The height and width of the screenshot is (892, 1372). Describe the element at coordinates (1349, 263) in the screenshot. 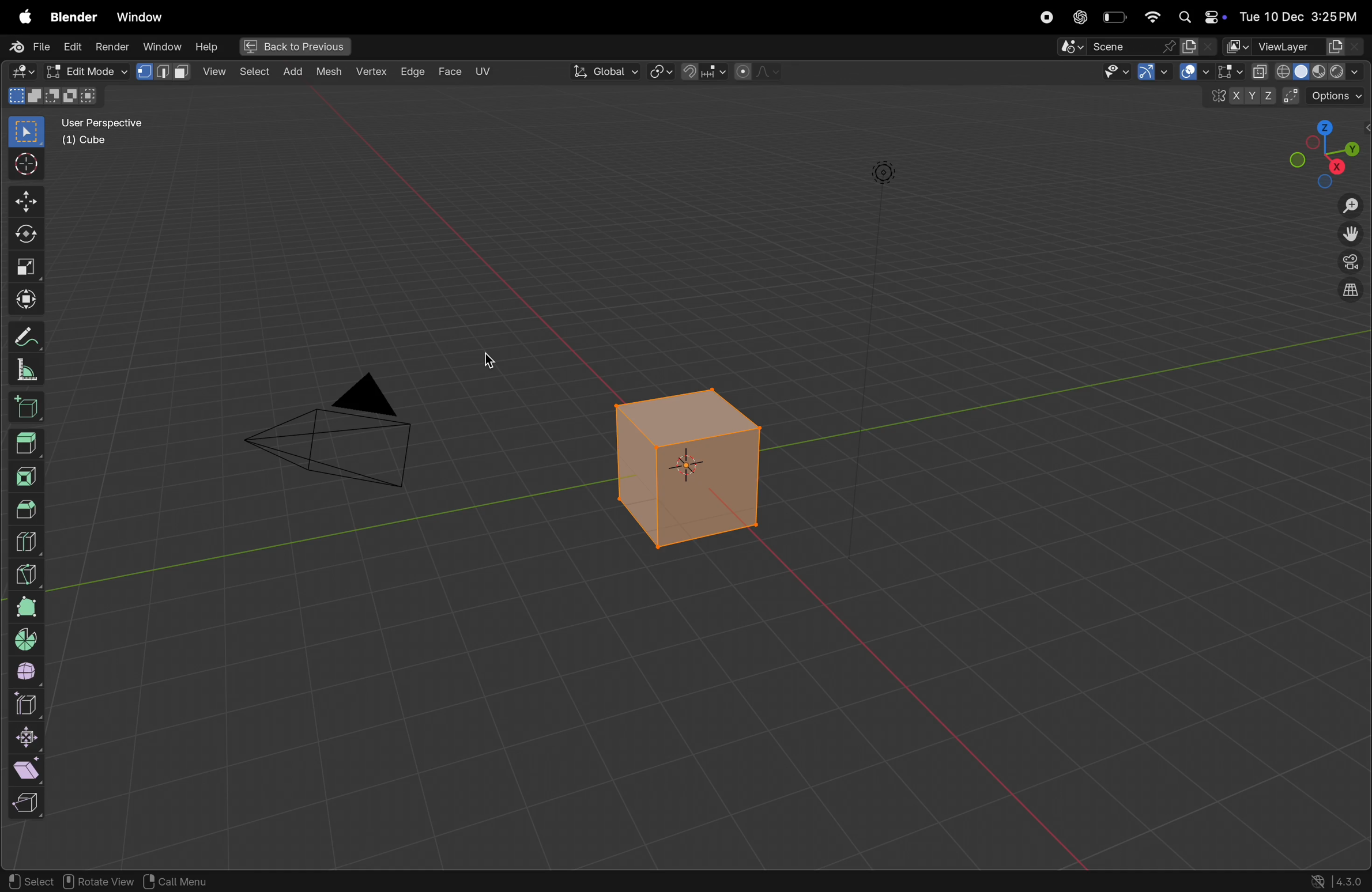

I see `toggle camera` at that location.